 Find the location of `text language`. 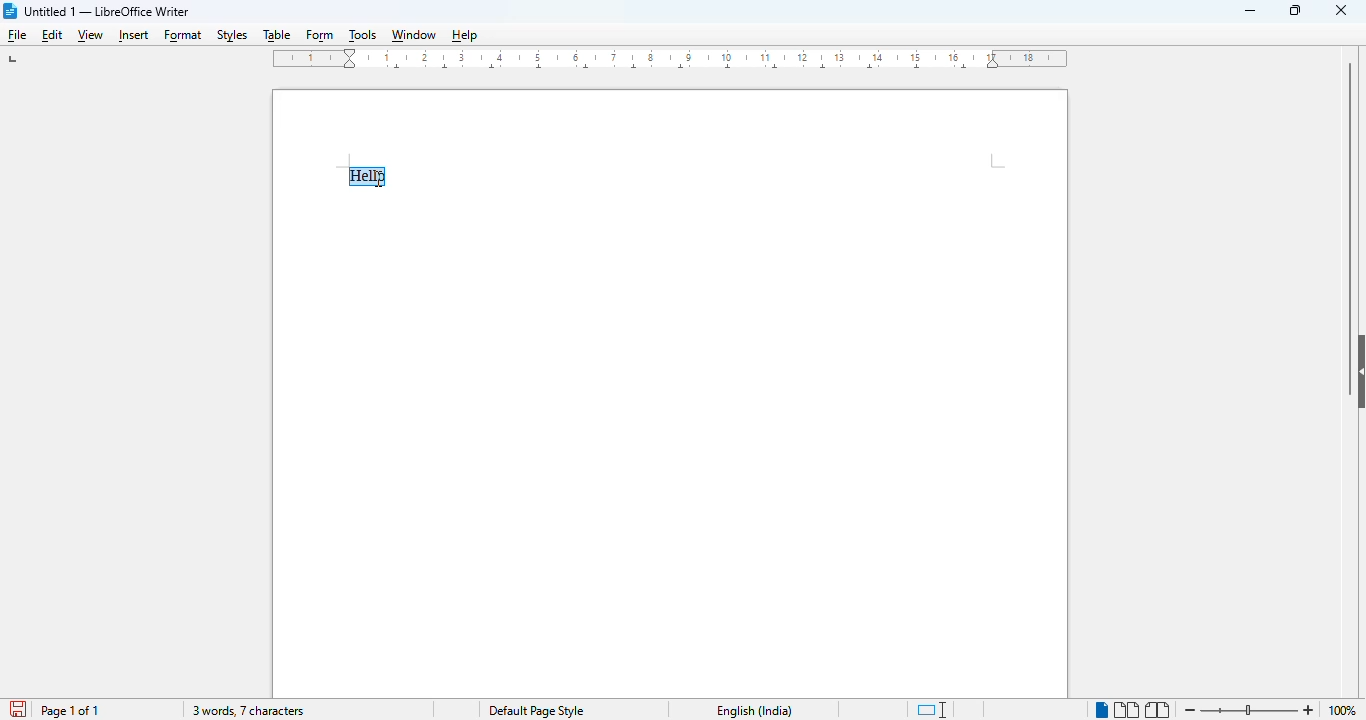

text language is located at coordinates (755, 711).